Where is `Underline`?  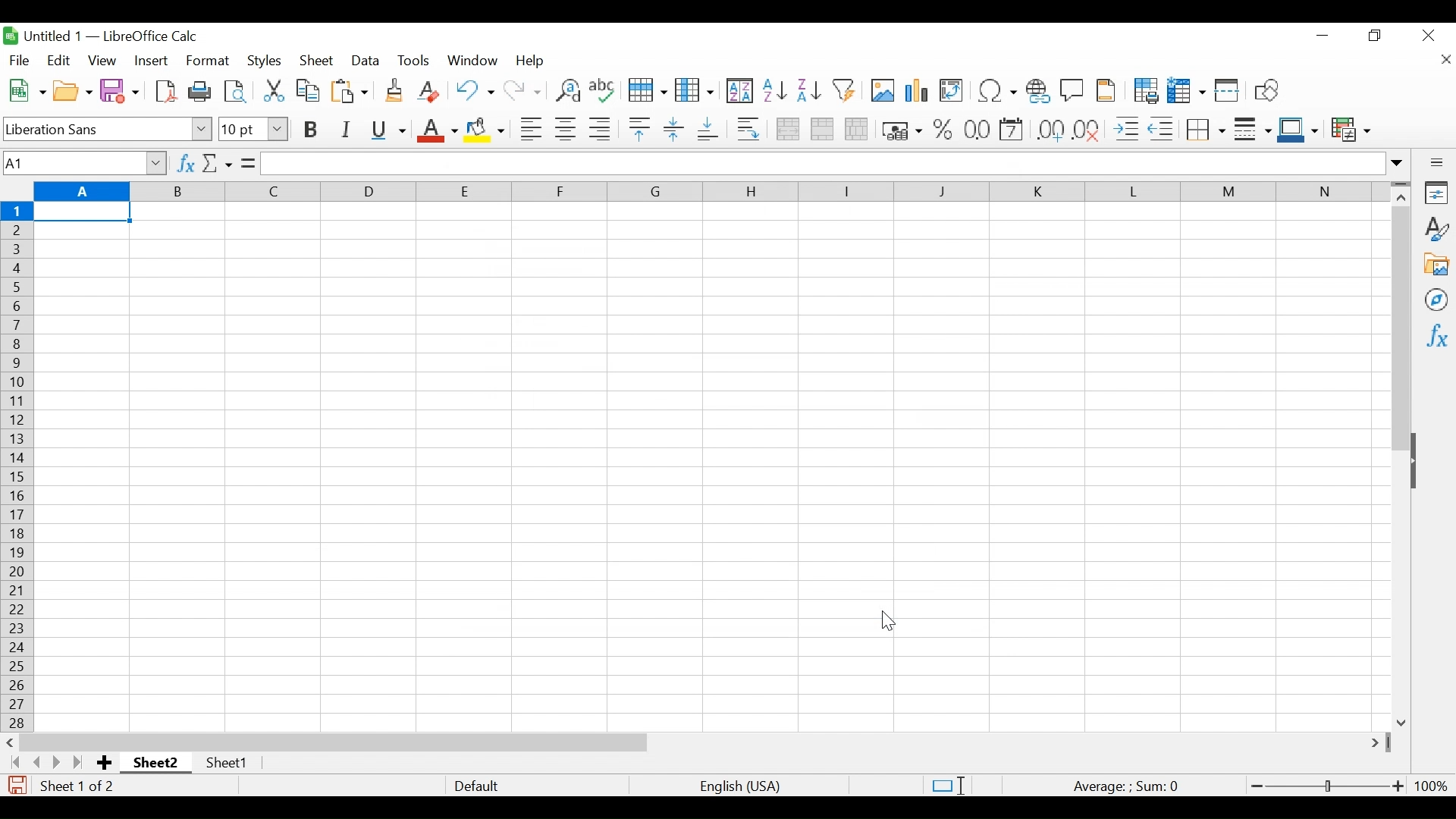
Underline is located at coordinates (388, 130).